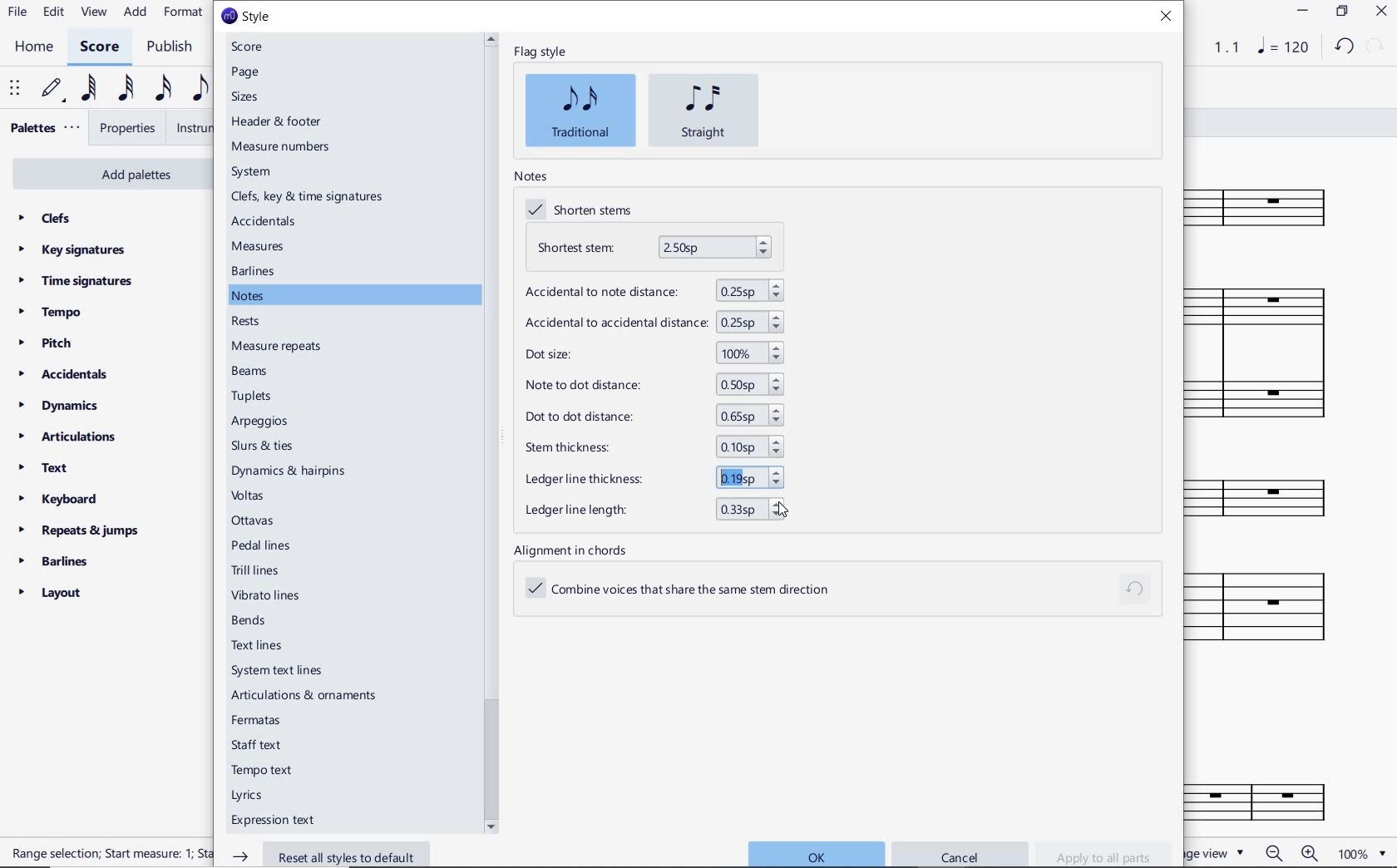 Image resolution: width=1397 pixels, height=868 pixels. I want to click on text lines, so click(256, 644).